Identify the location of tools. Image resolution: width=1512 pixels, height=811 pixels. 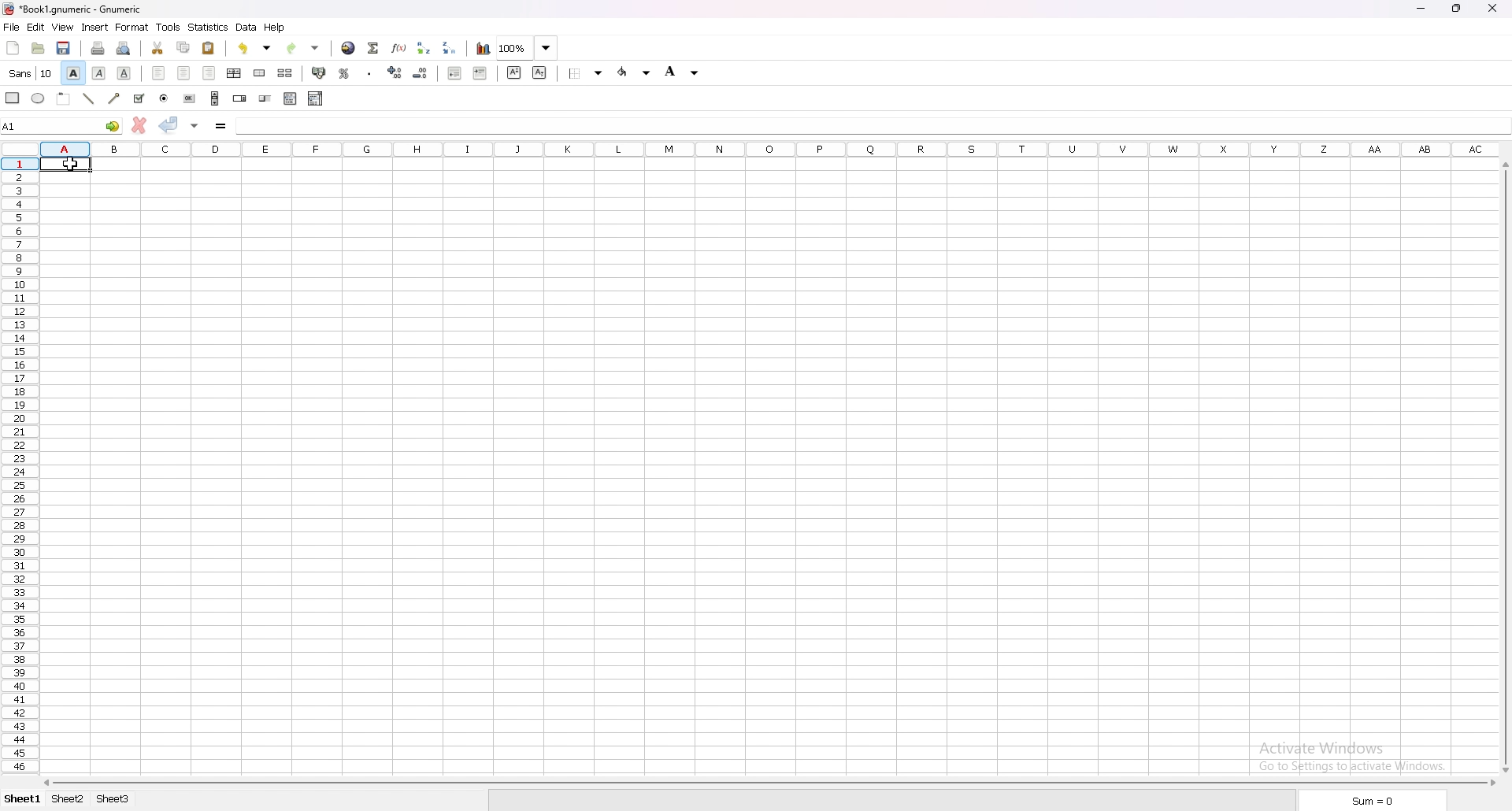
(169, 27).